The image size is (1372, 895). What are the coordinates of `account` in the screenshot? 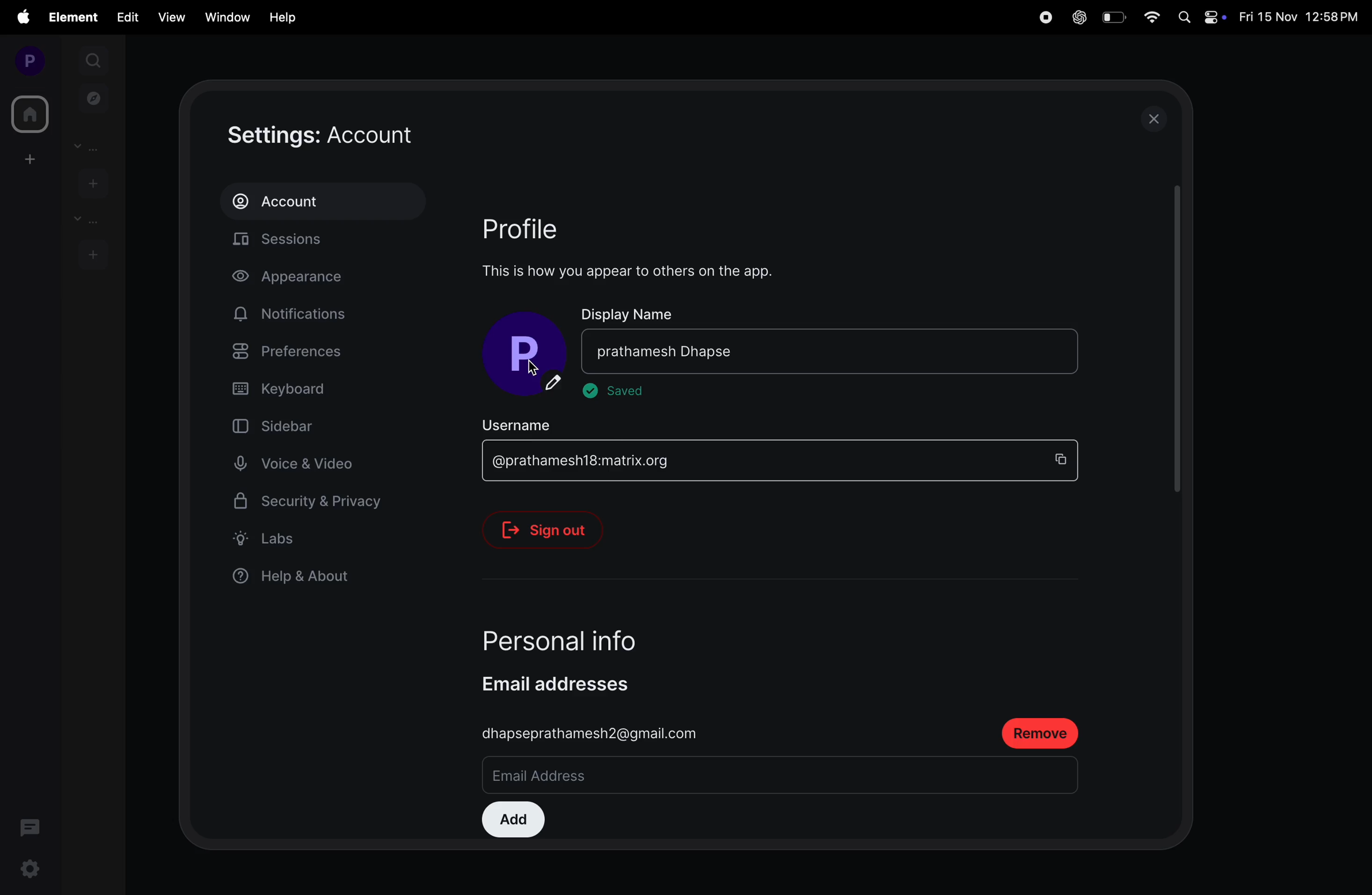 It's located at (322, 201).